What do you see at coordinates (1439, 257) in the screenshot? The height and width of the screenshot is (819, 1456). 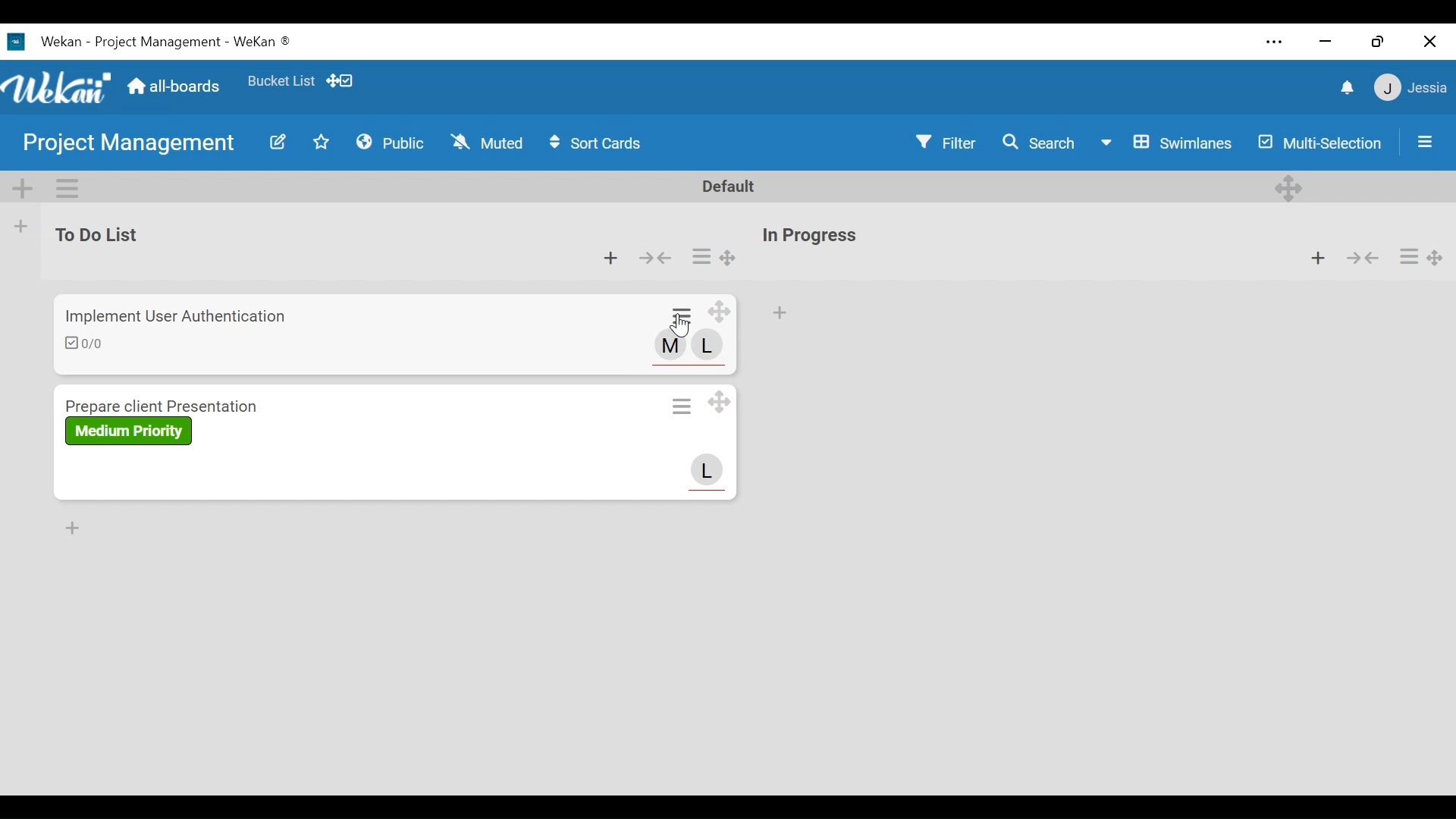 I see `Desktop drag handles` at bounding box center [1439, 257].